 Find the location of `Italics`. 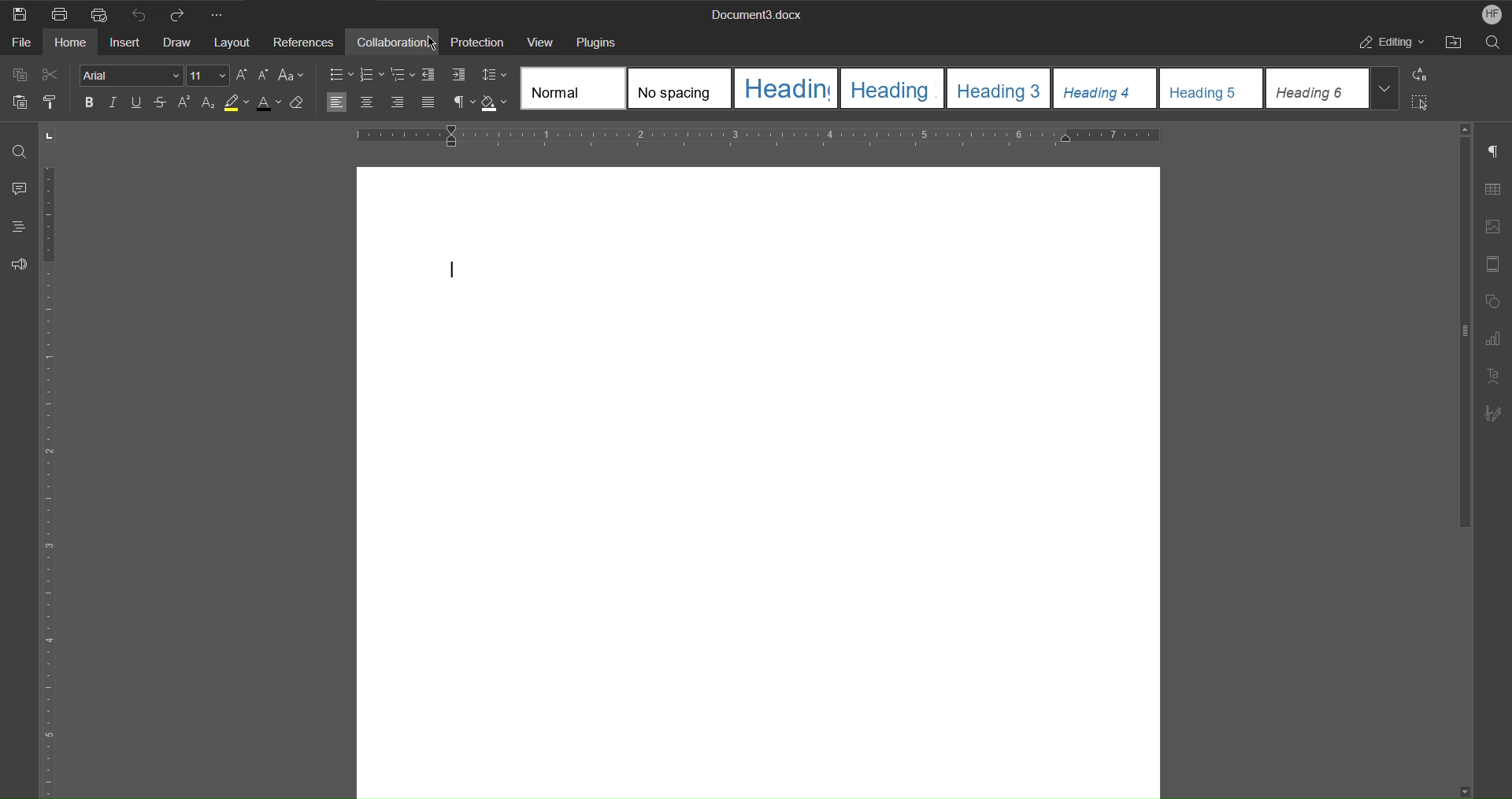

Italics is located at coordinates (113, 102).